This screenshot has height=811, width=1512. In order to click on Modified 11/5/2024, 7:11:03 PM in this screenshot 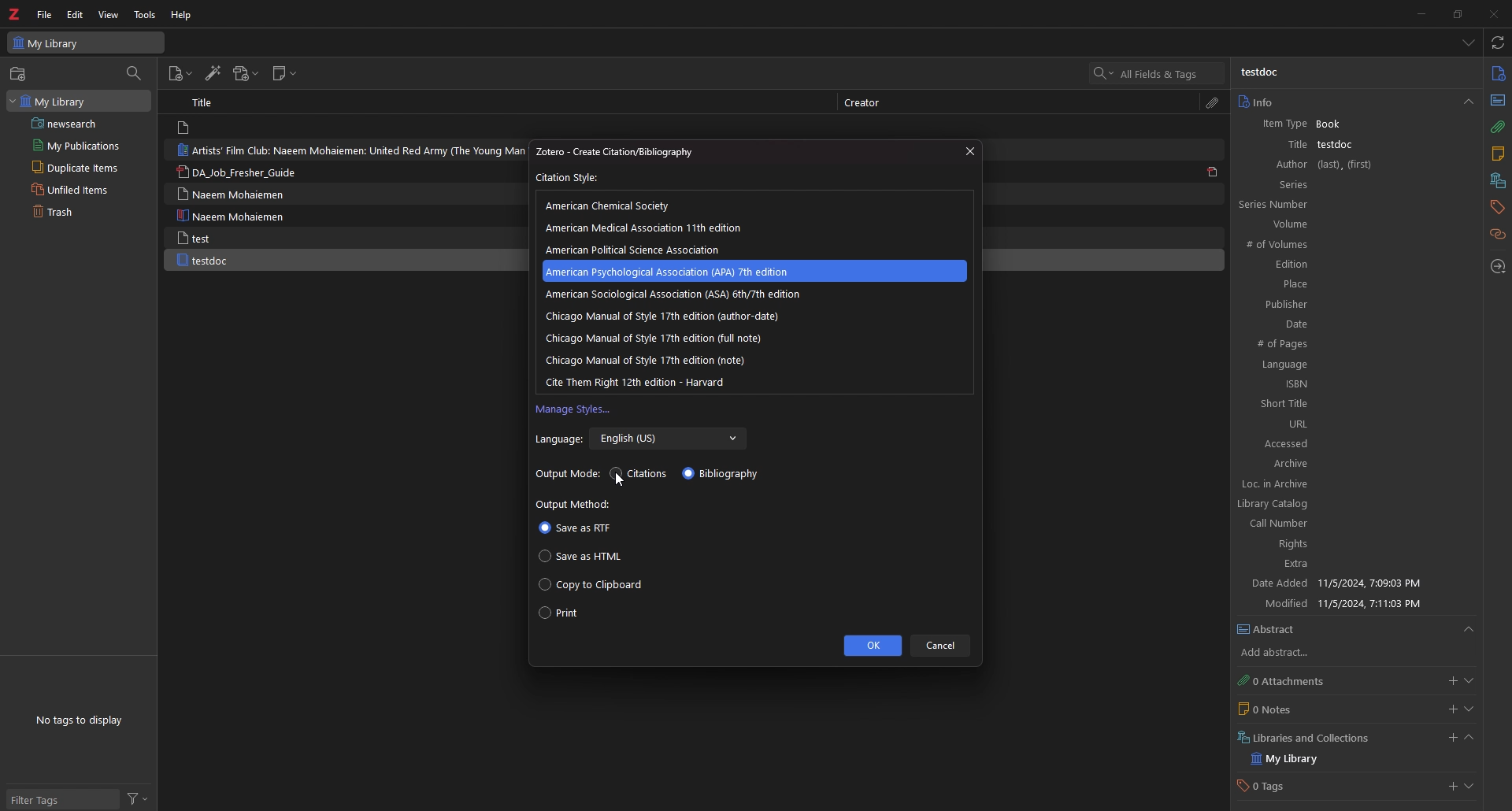, I will do `click(1353, 603)`.